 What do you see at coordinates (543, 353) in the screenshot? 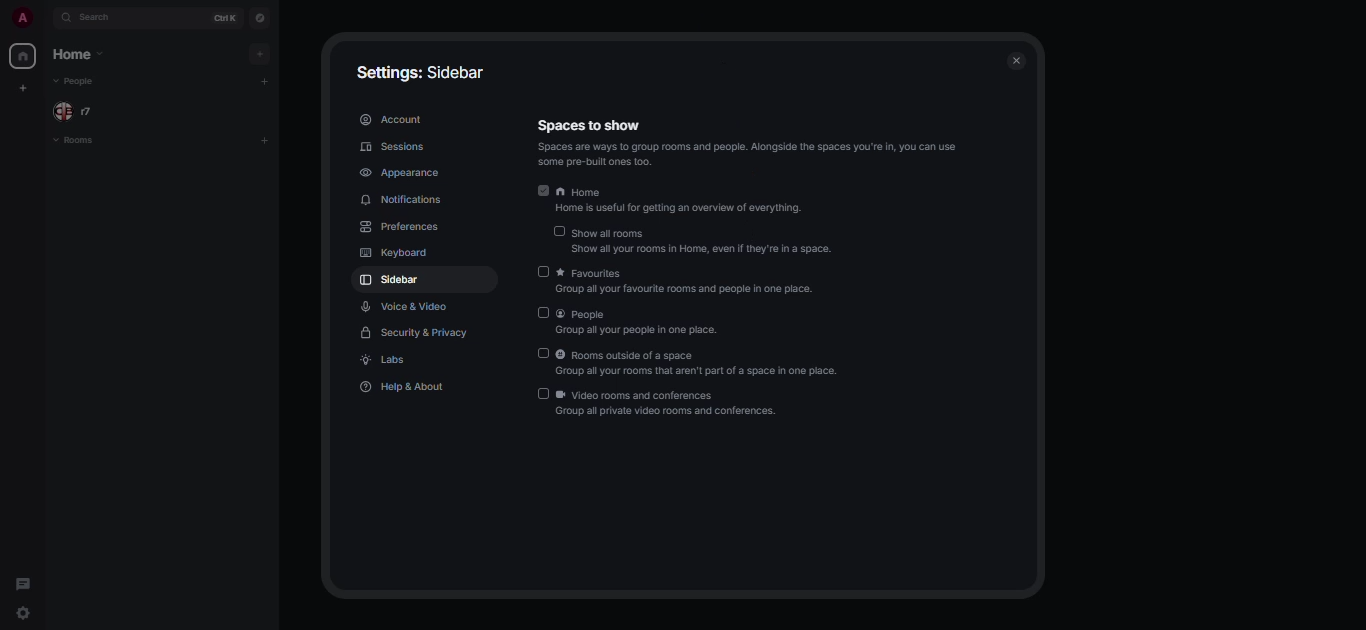
I see `disabled` at bounding box center [543, 353].